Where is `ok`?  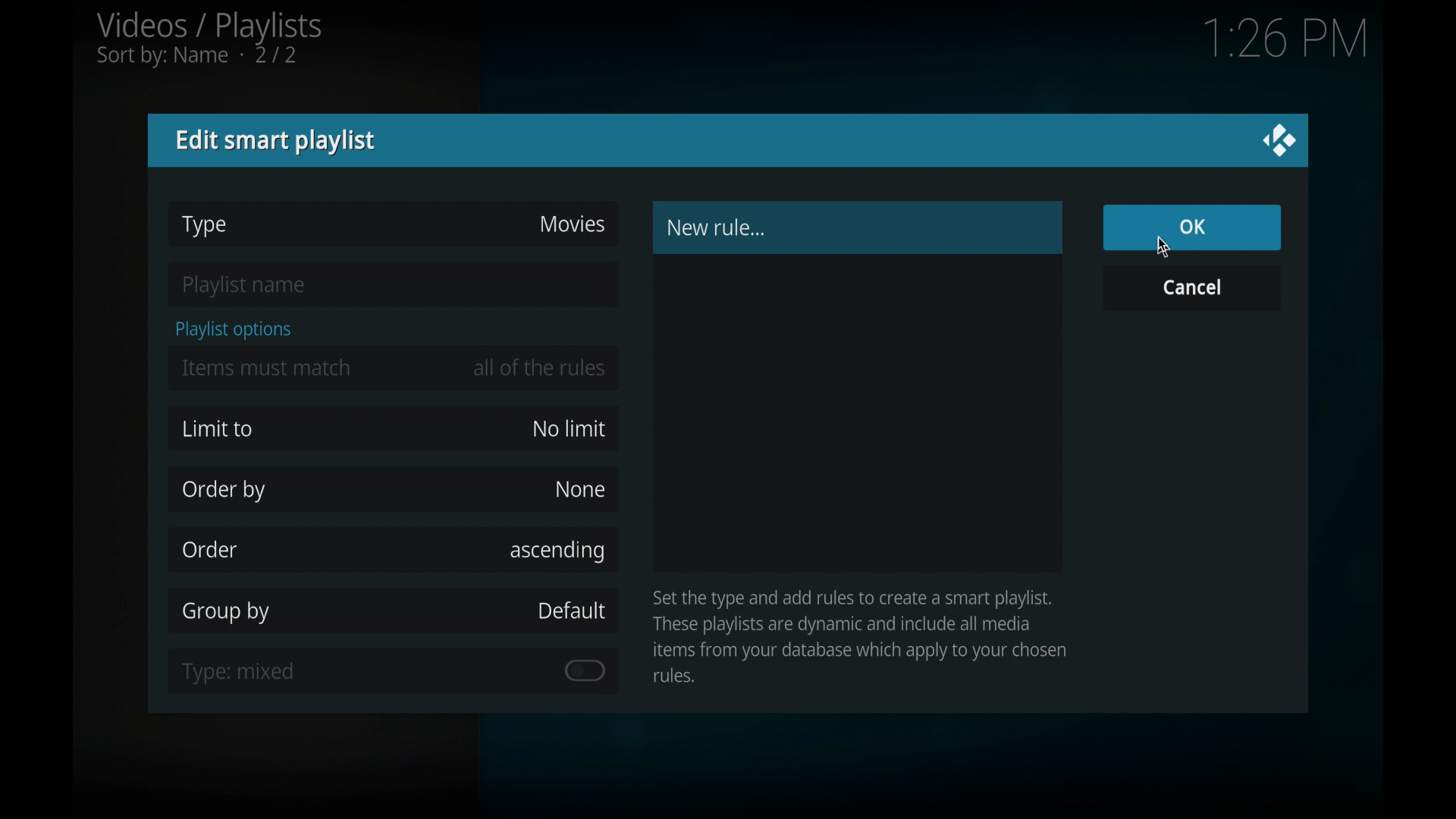 ok is located at coordinates (1193, 227).